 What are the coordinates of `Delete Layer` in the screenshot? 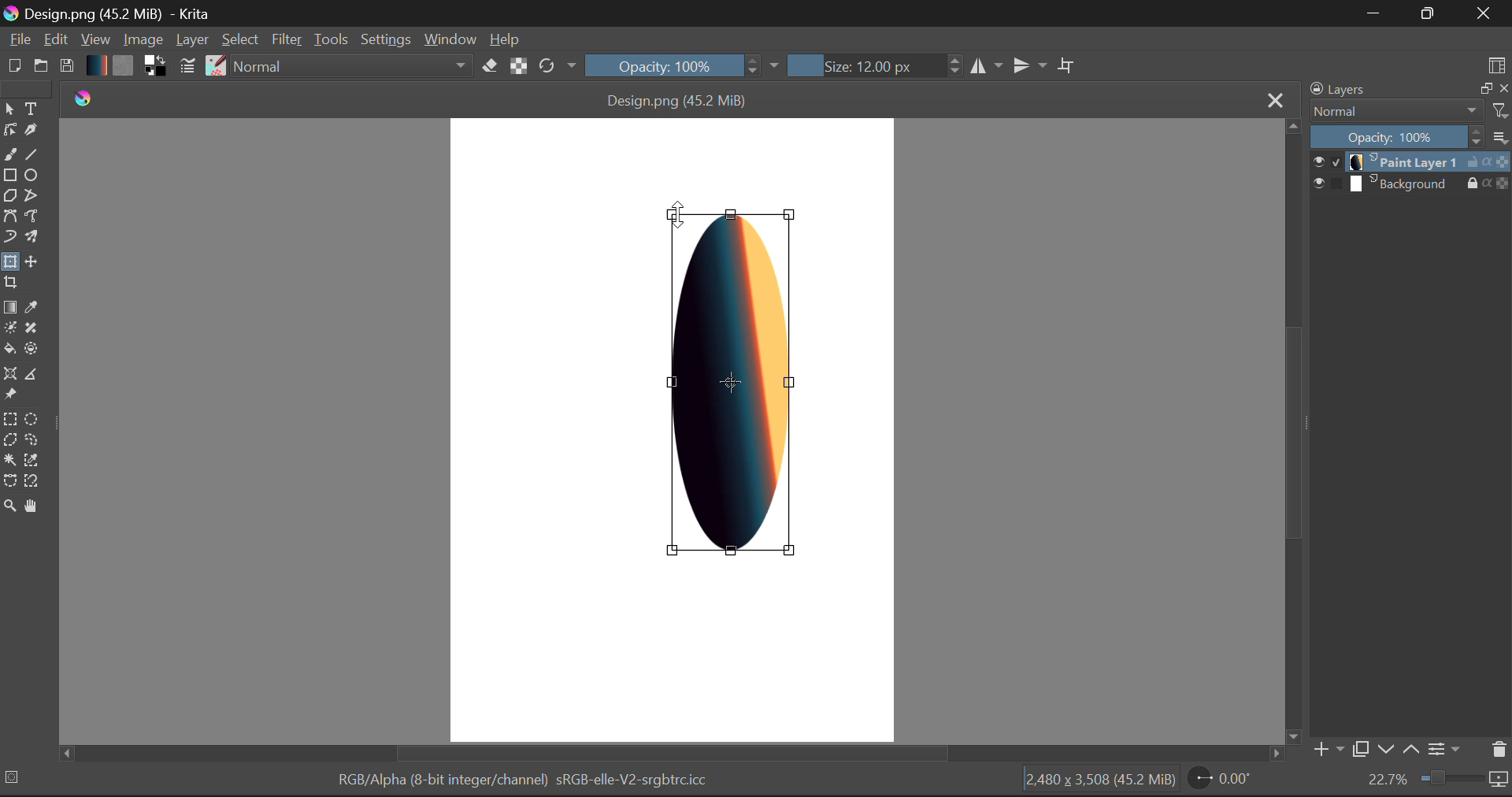 It's located at (1497, 749).